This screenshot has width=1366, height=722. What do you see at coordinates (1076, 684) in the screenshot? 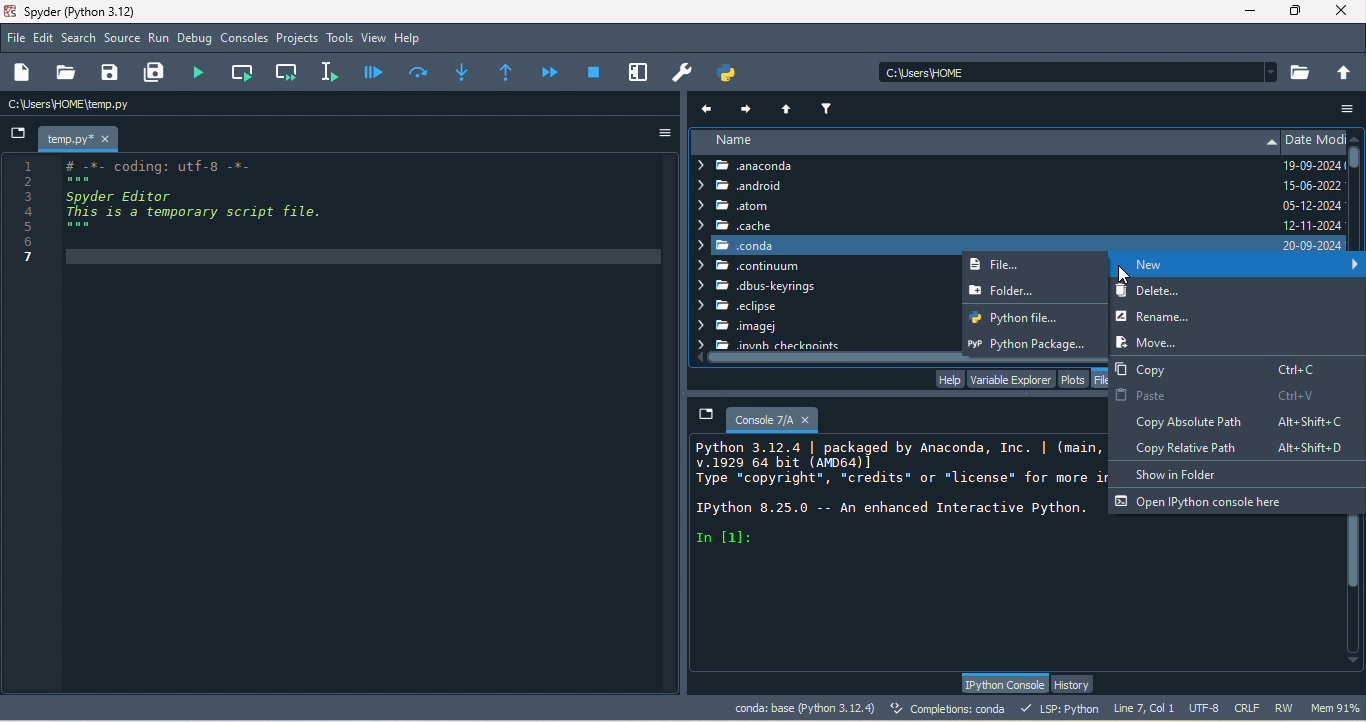
I see `history` at bounding box center [1076, 684].